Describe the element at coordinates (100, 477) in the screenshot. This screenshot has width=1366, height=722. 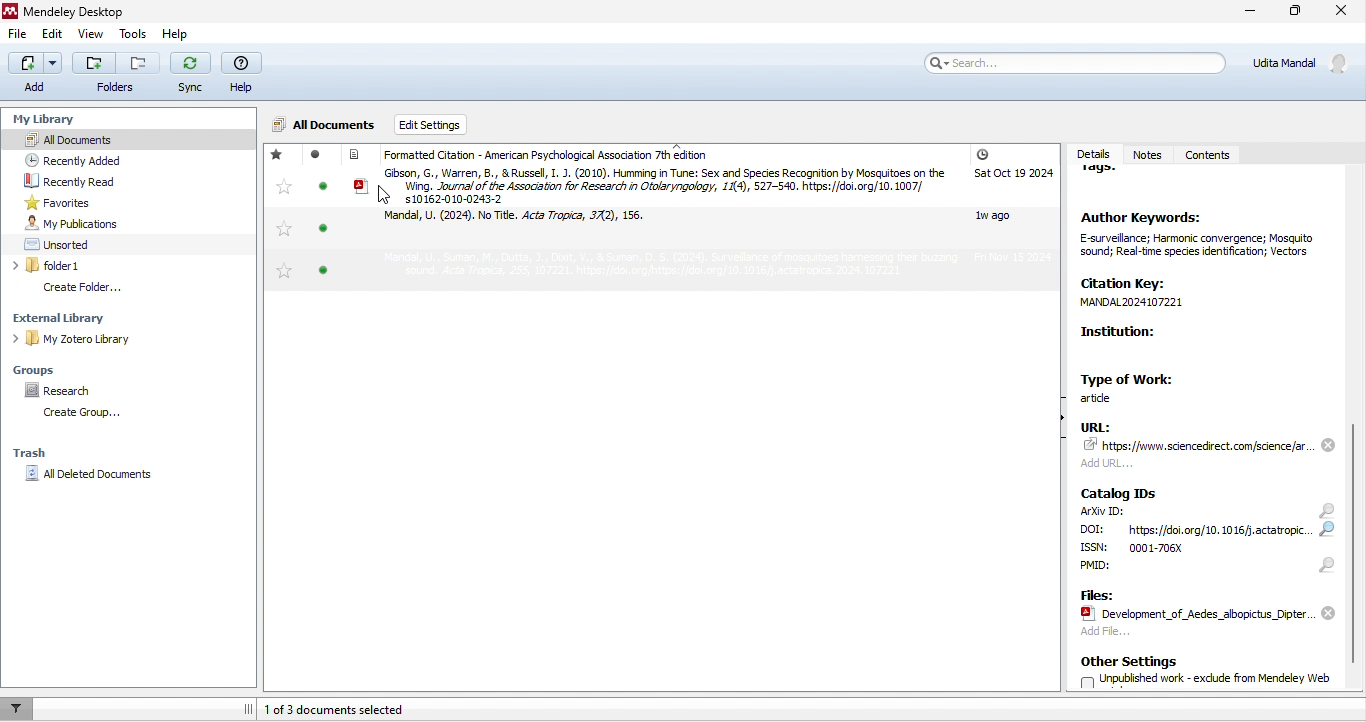
I see `all deleted documents` at that location.